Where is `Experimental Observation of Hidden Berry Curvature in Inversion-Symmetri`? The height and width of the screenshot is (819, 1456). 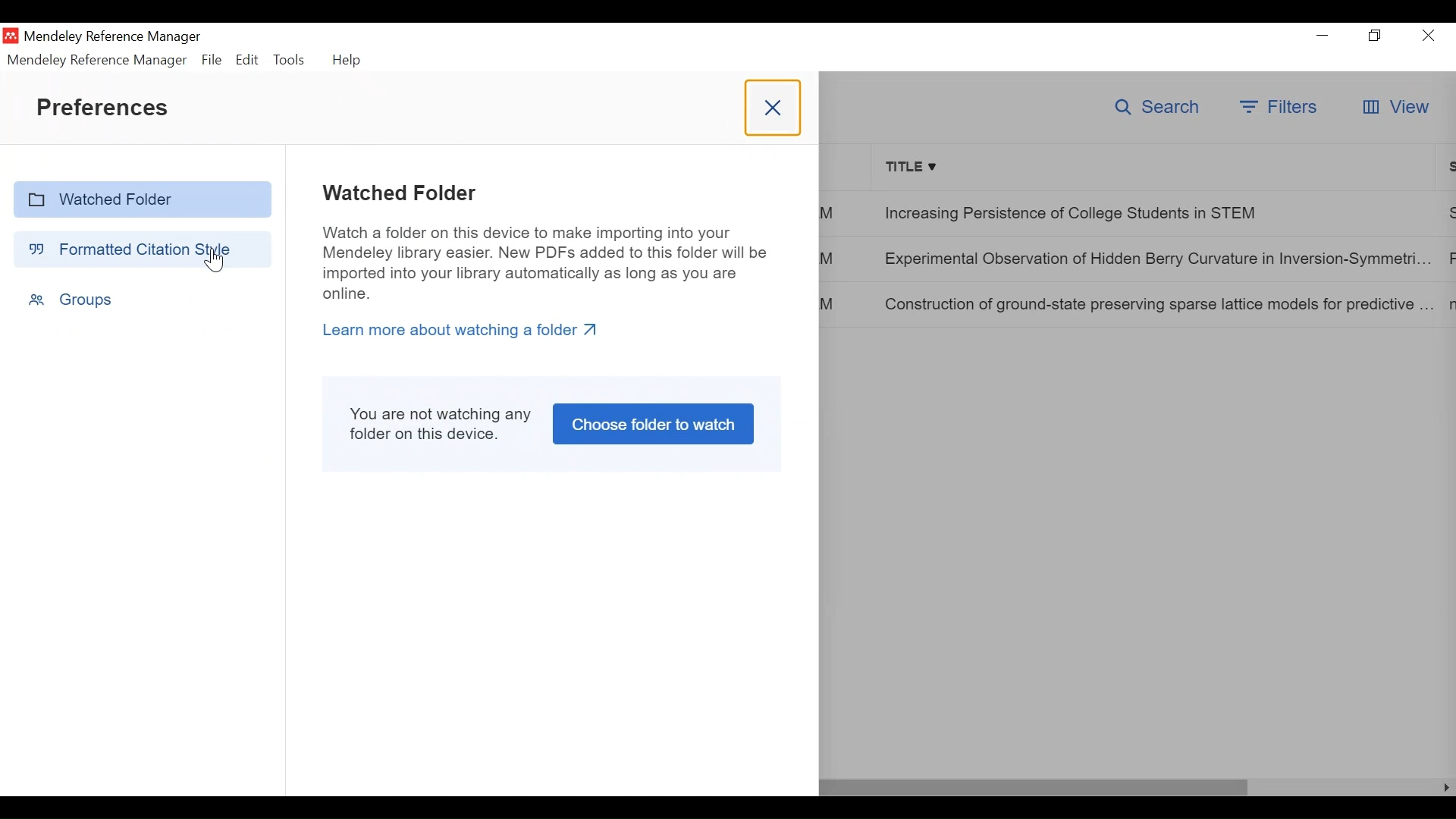
Experimental Observation of Hidden Berry Curvature in Inversion-Symmetri is located at coordinates (1155, 260).